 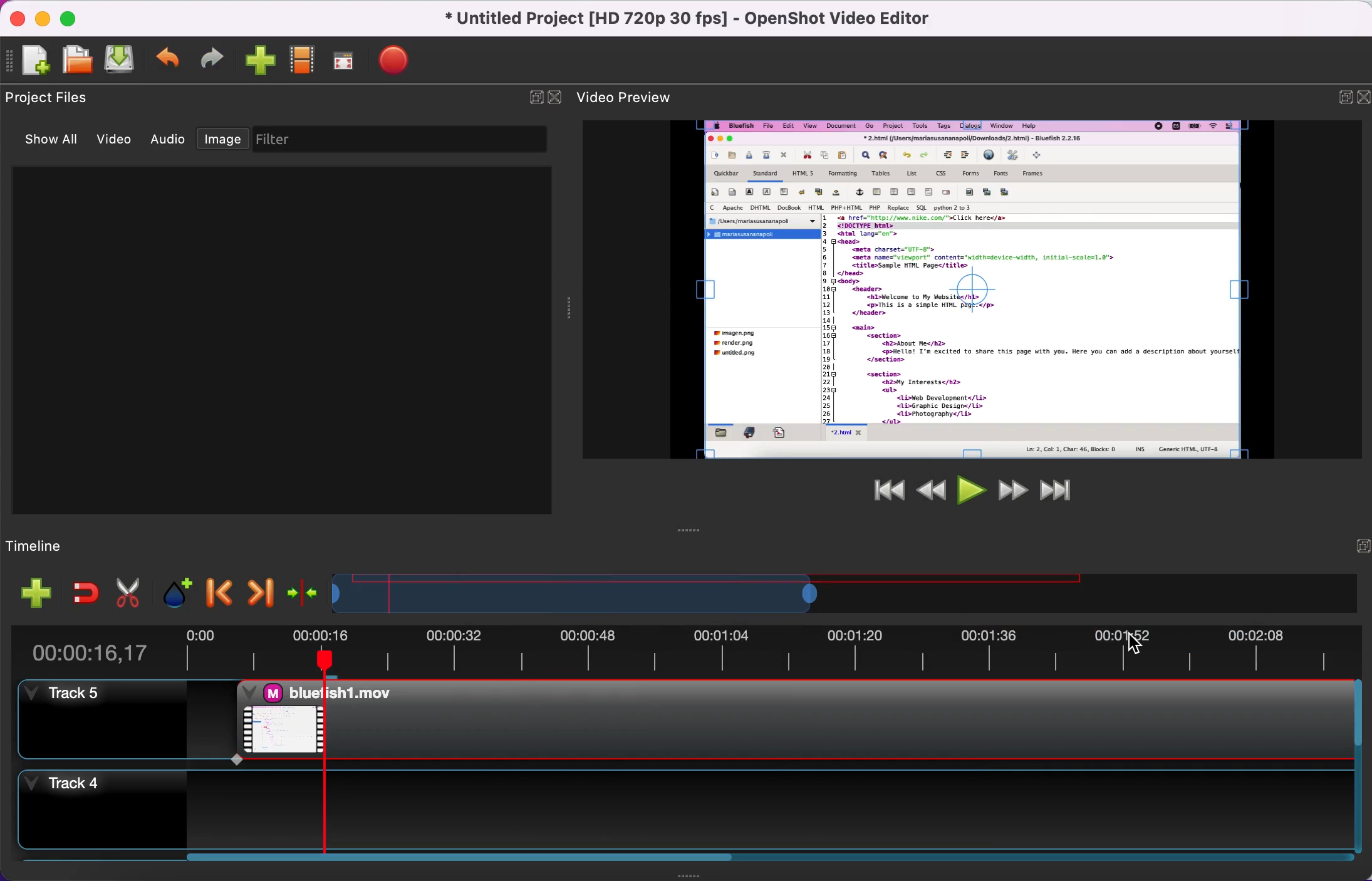 What do you see at coordinates (788, 719) in the screenshot?
I see `applied` at bounding box center [788, 719].